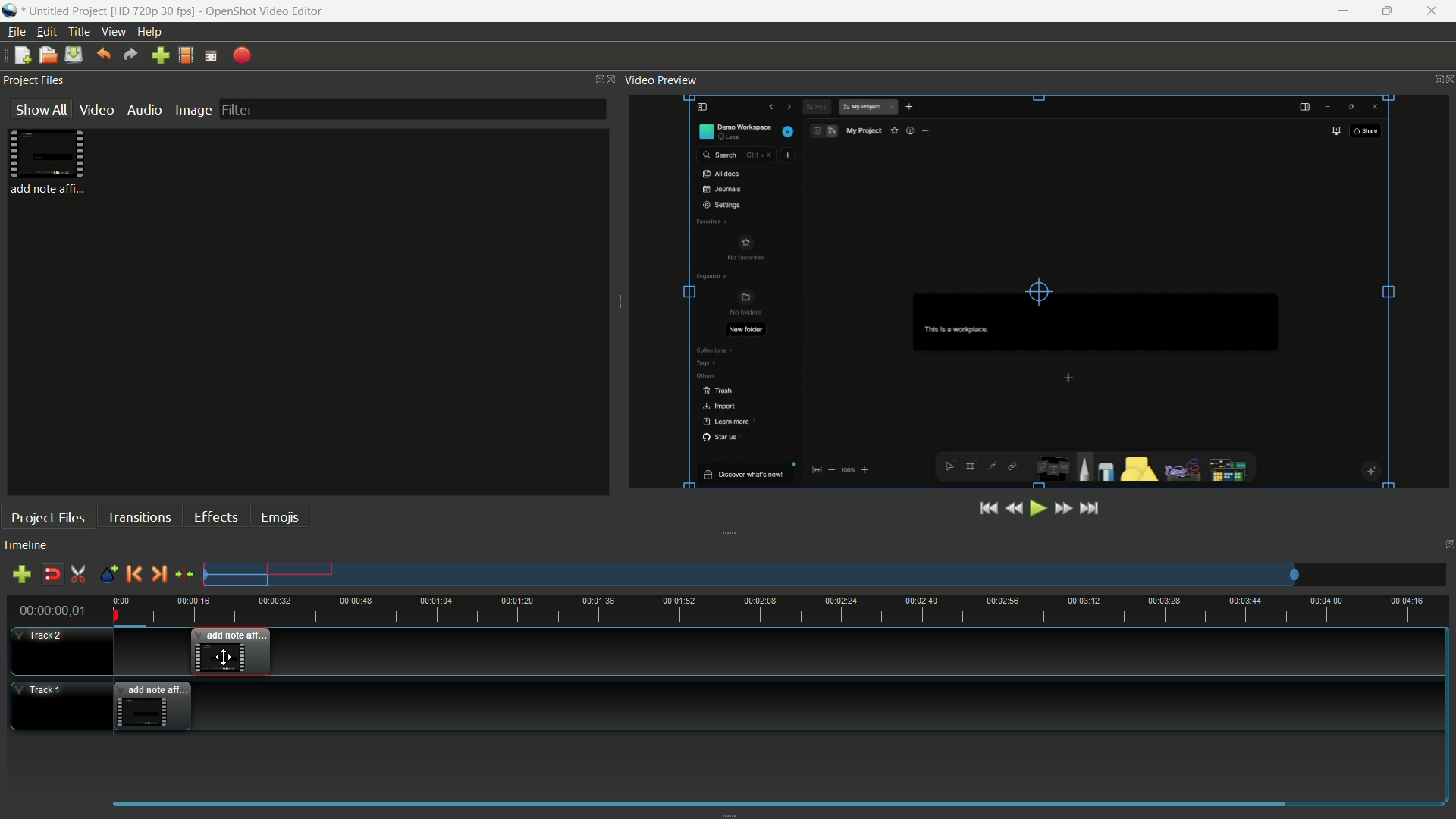 The height and width of the screenshot is (819, 1456). Describe the element at coordinates (750, 575) in the screenshot. I see `tracks preview` at that location.